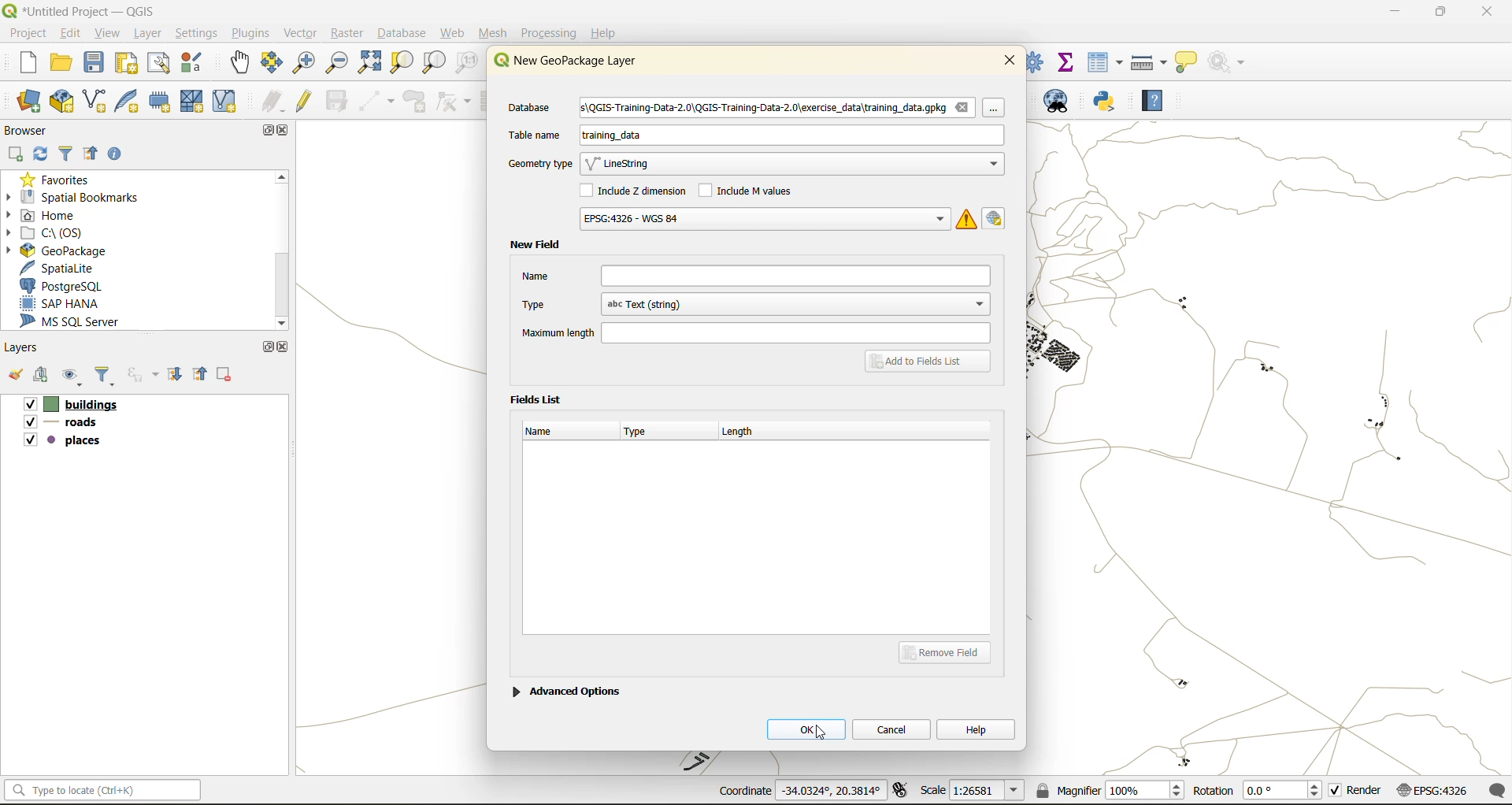 This screenshot has height=805, width=1512. Describe the element at coordinates (130, 105) in the screenshot. I see `new spatialite` at that location.